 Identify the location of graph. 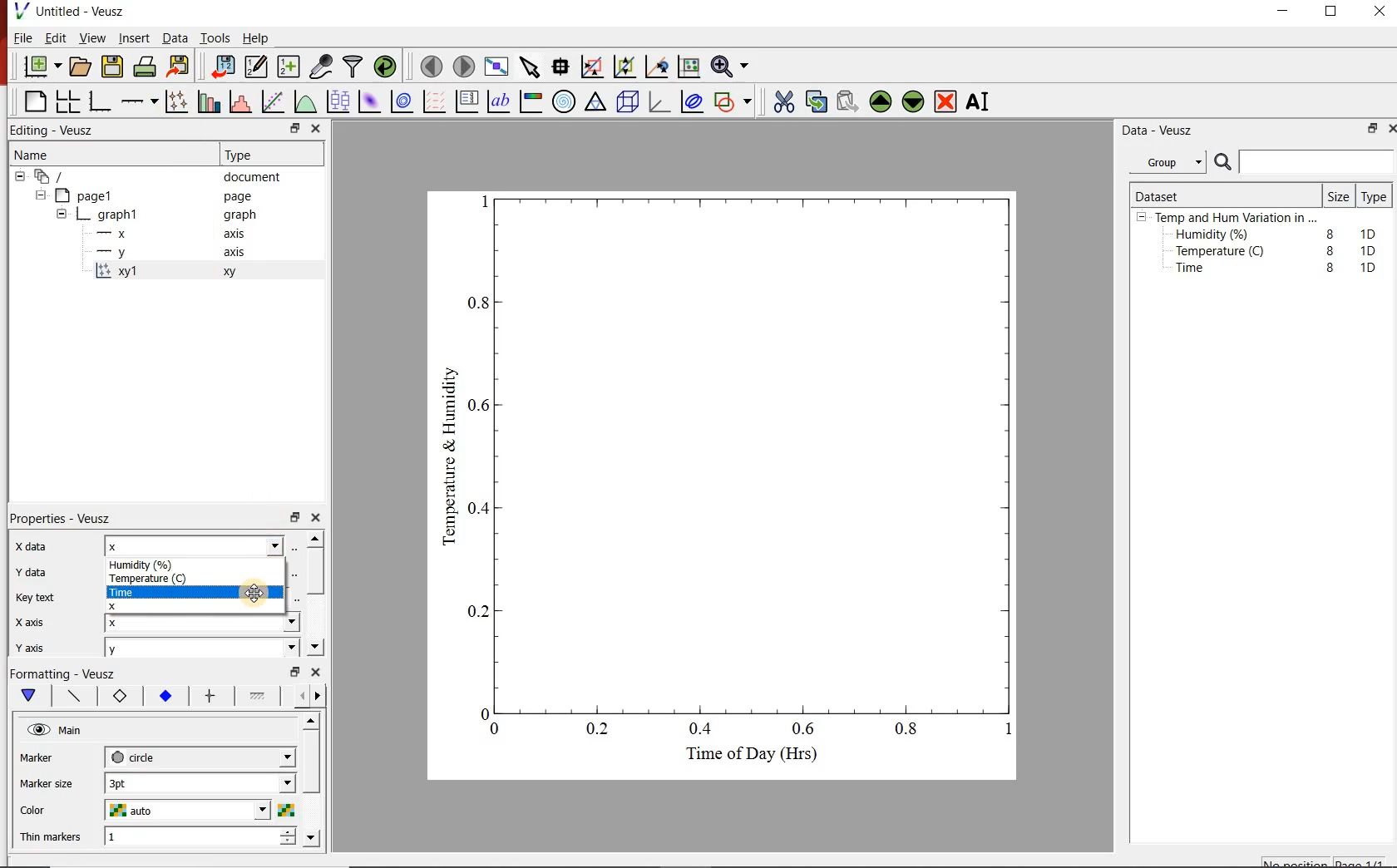
(239, 216).